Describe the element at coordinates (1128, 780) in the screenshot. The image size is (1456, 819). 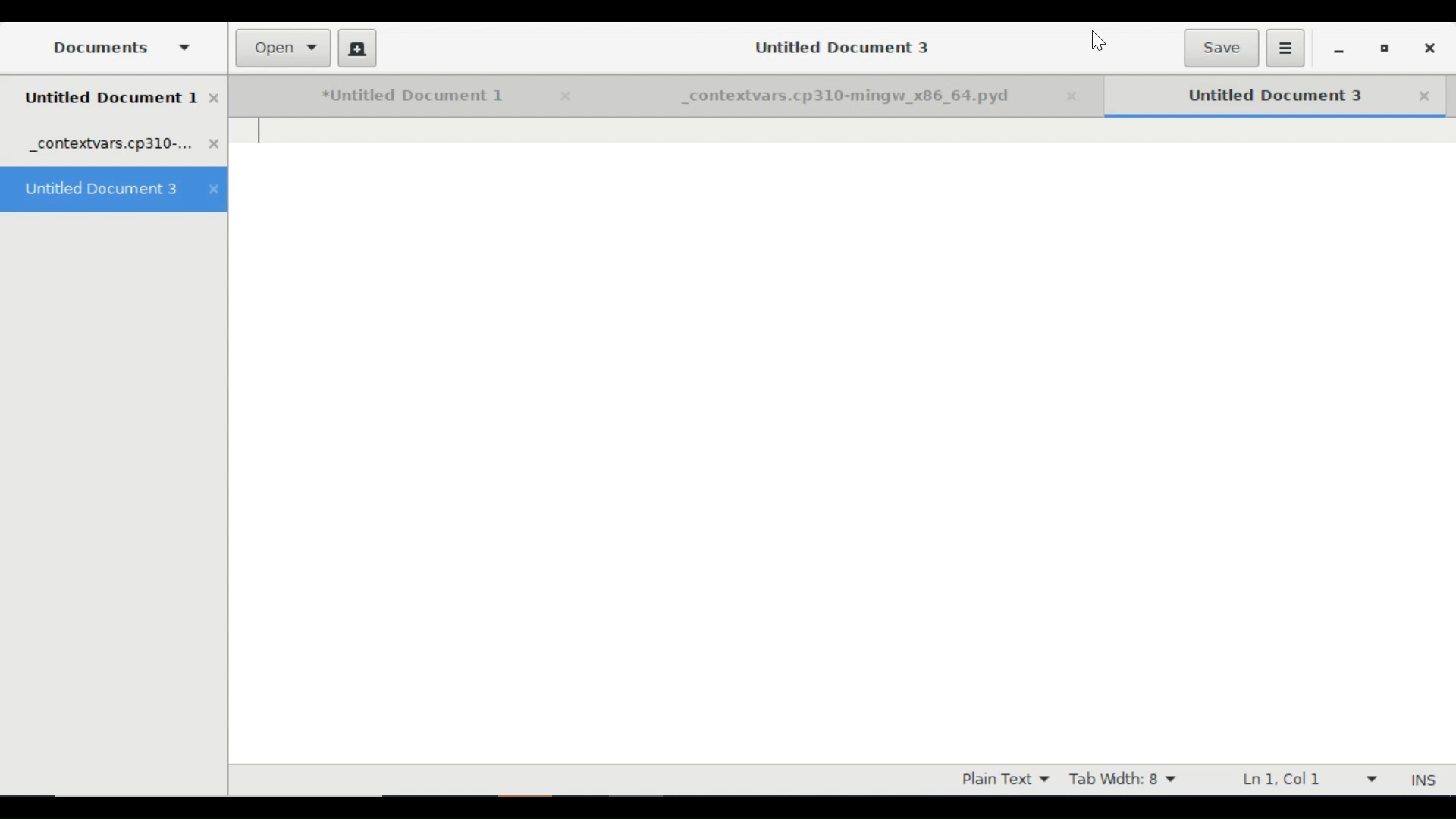
I see `Tab Width` at that location.